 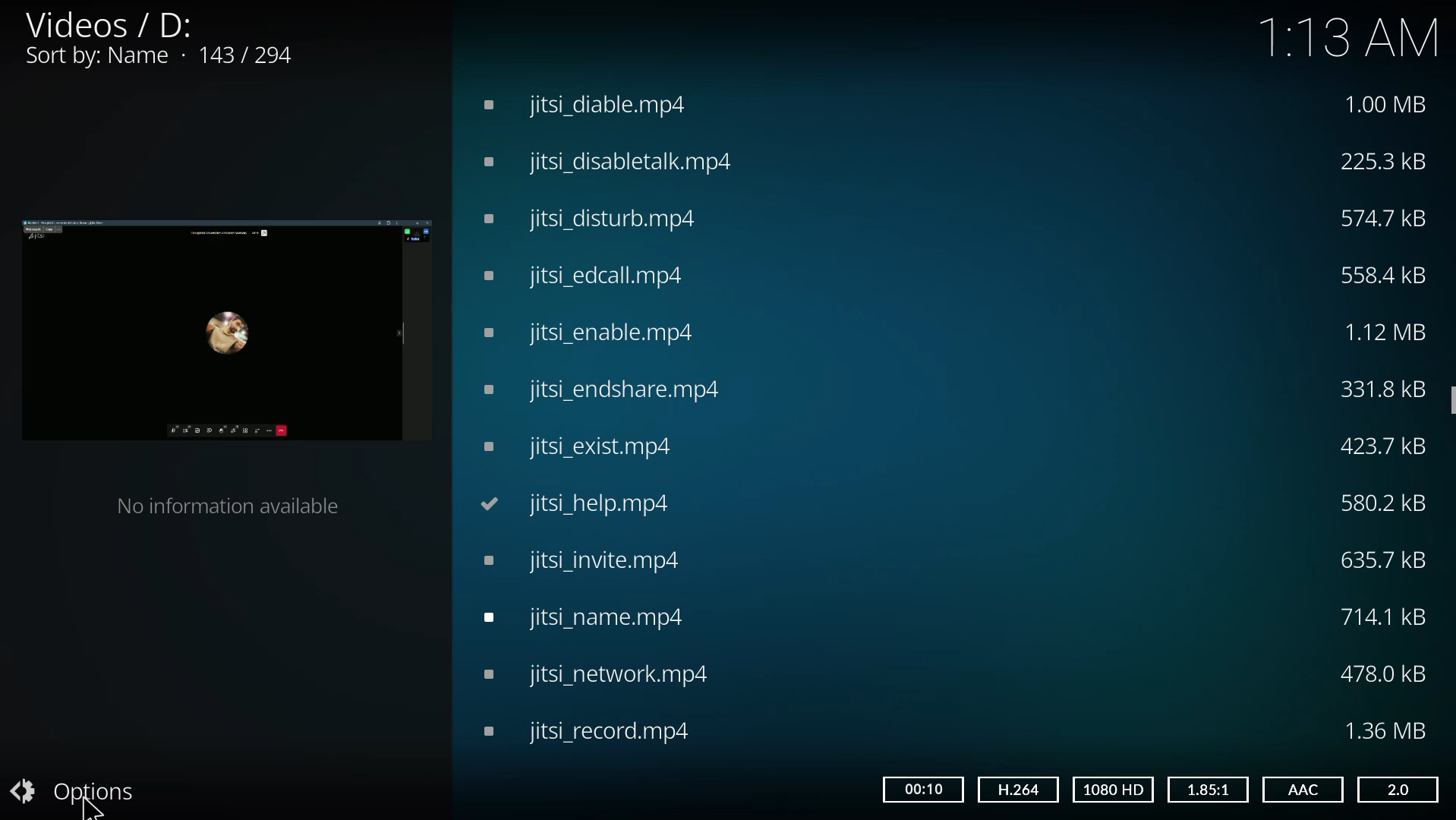 What do you see at coordinates (225, 332) in the screenshot?
I see `video preview` at bounding box center [225, 332].